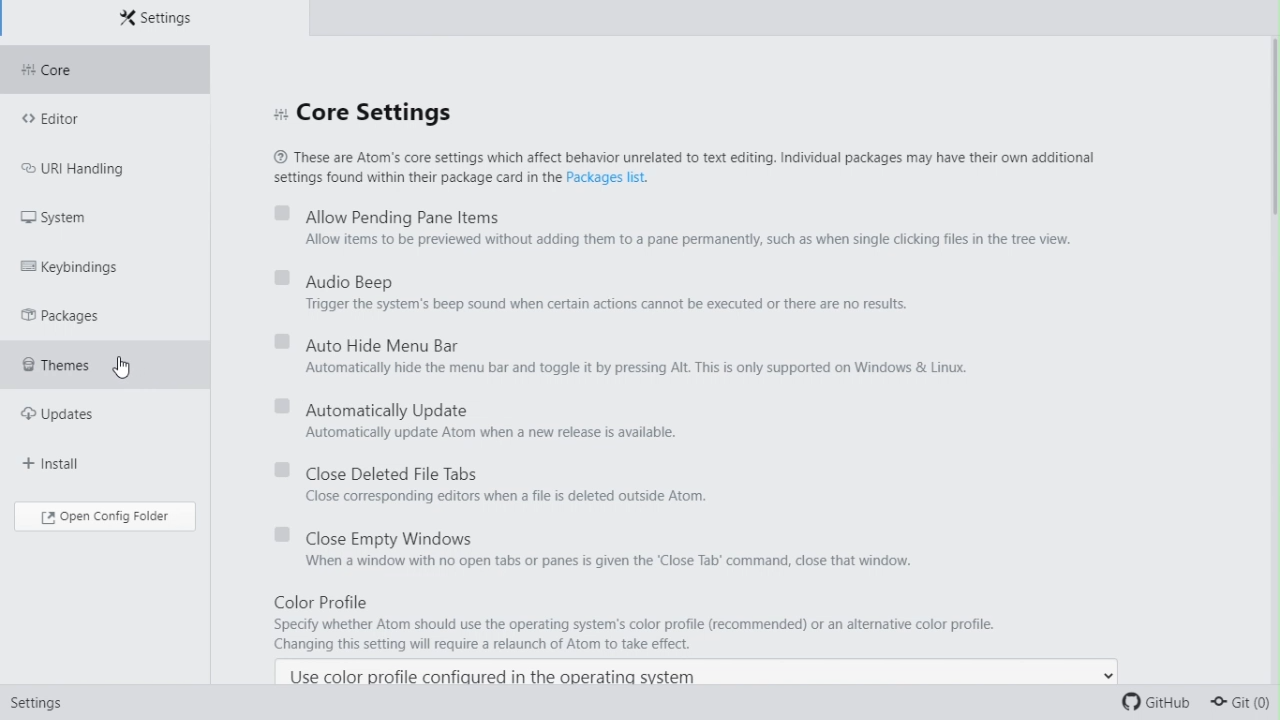 The image size is (1280, 720). I want to click on Settings, so click(164, 20).